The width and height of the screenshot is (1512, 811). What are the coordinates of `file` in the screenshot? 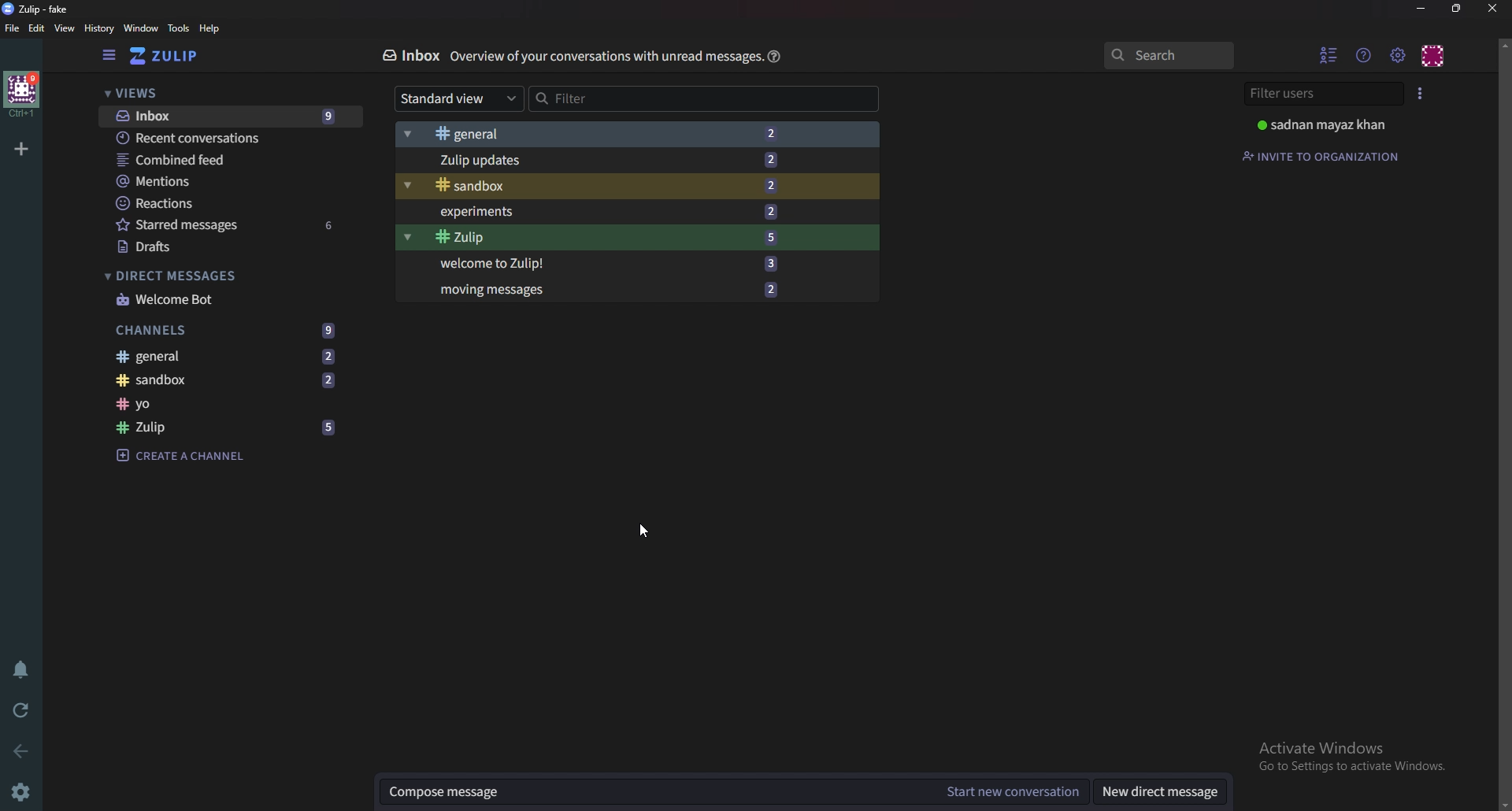 It's located at (11, 28).